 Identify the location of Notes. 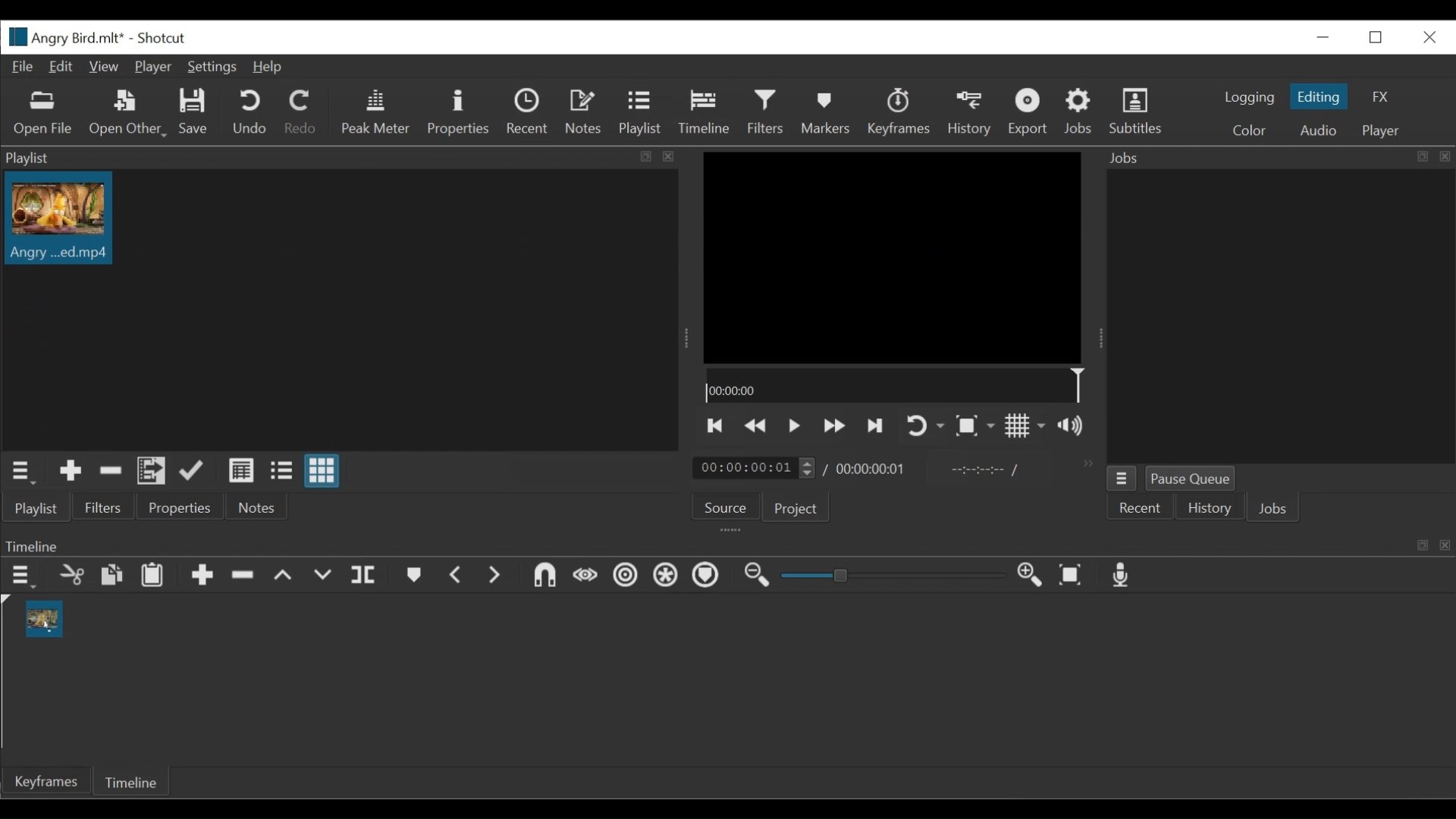
(260, 507).